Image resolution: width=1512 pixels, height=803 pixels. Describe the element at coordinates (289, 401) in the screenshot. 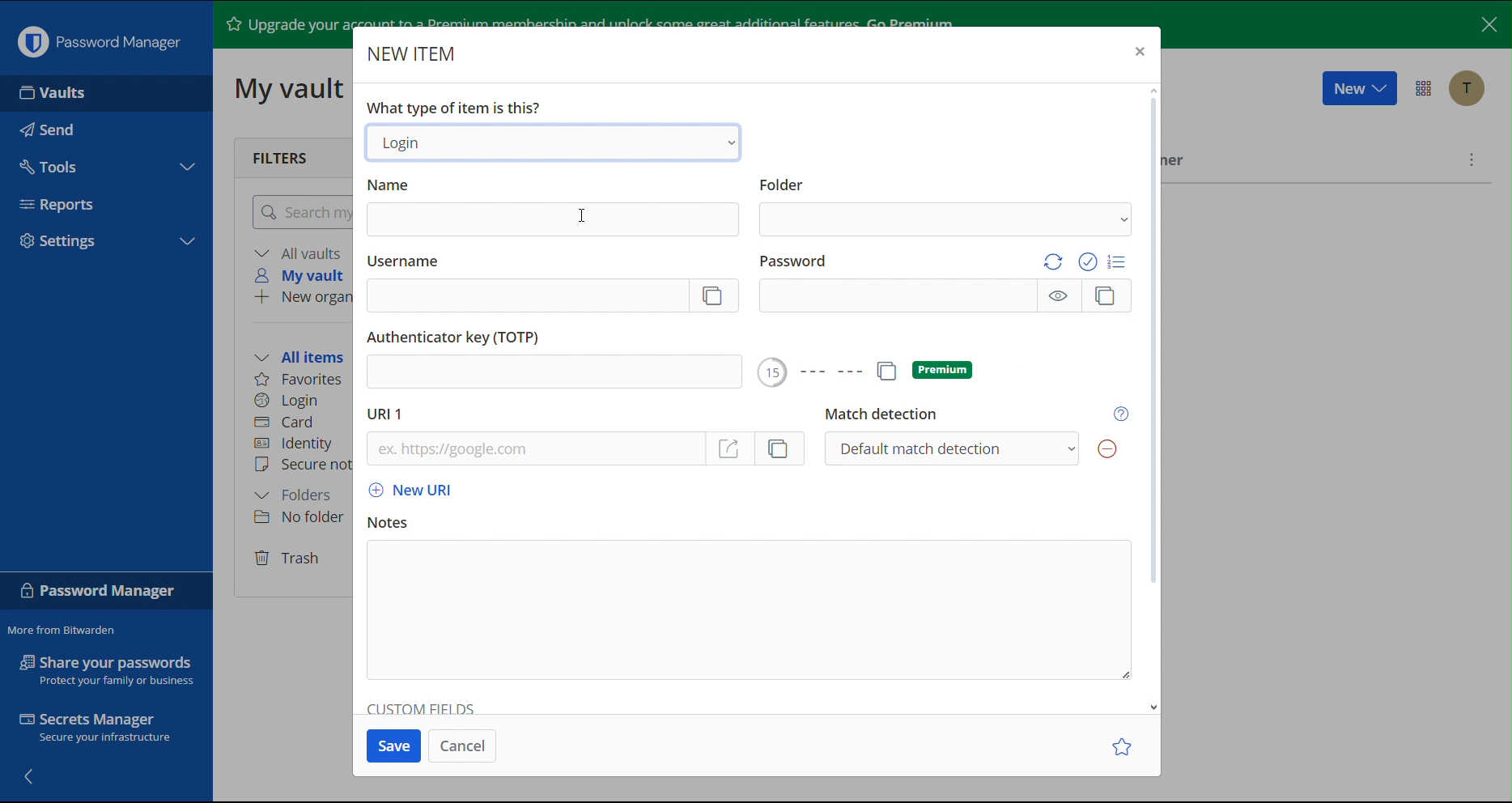

I see `Login` at that location.